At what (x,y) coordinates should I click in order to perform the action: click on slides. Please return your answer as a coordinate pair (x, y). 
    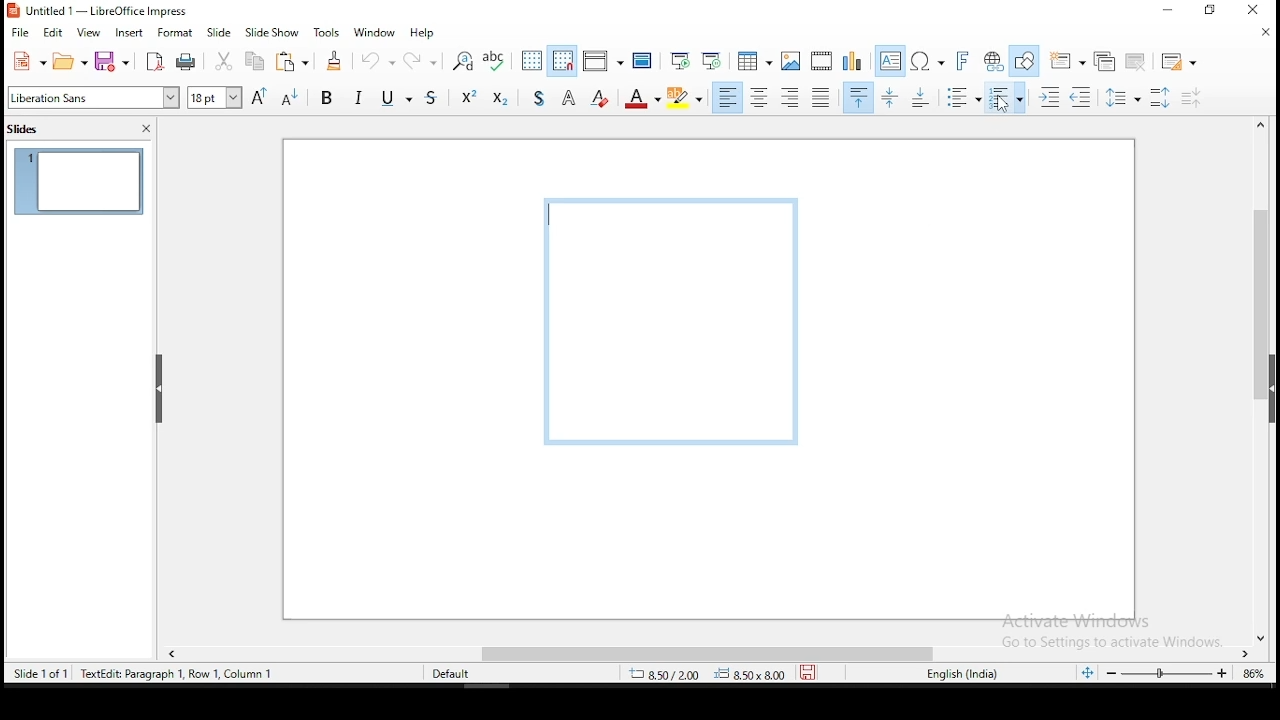
    Looking at the image, I should click on (26, 130).